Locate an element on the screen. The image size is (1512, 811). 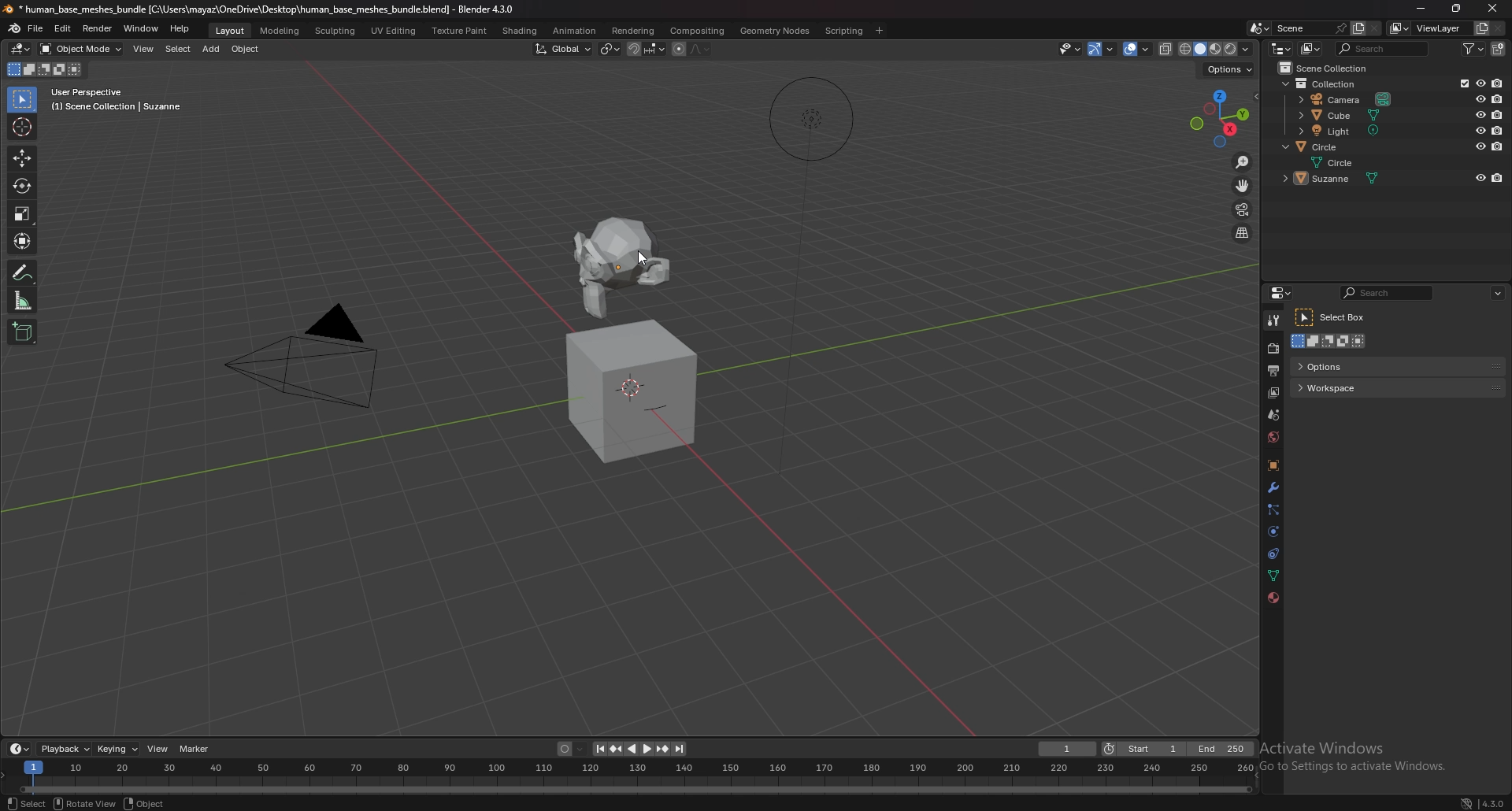
material is located at coordinates (1271, 599).